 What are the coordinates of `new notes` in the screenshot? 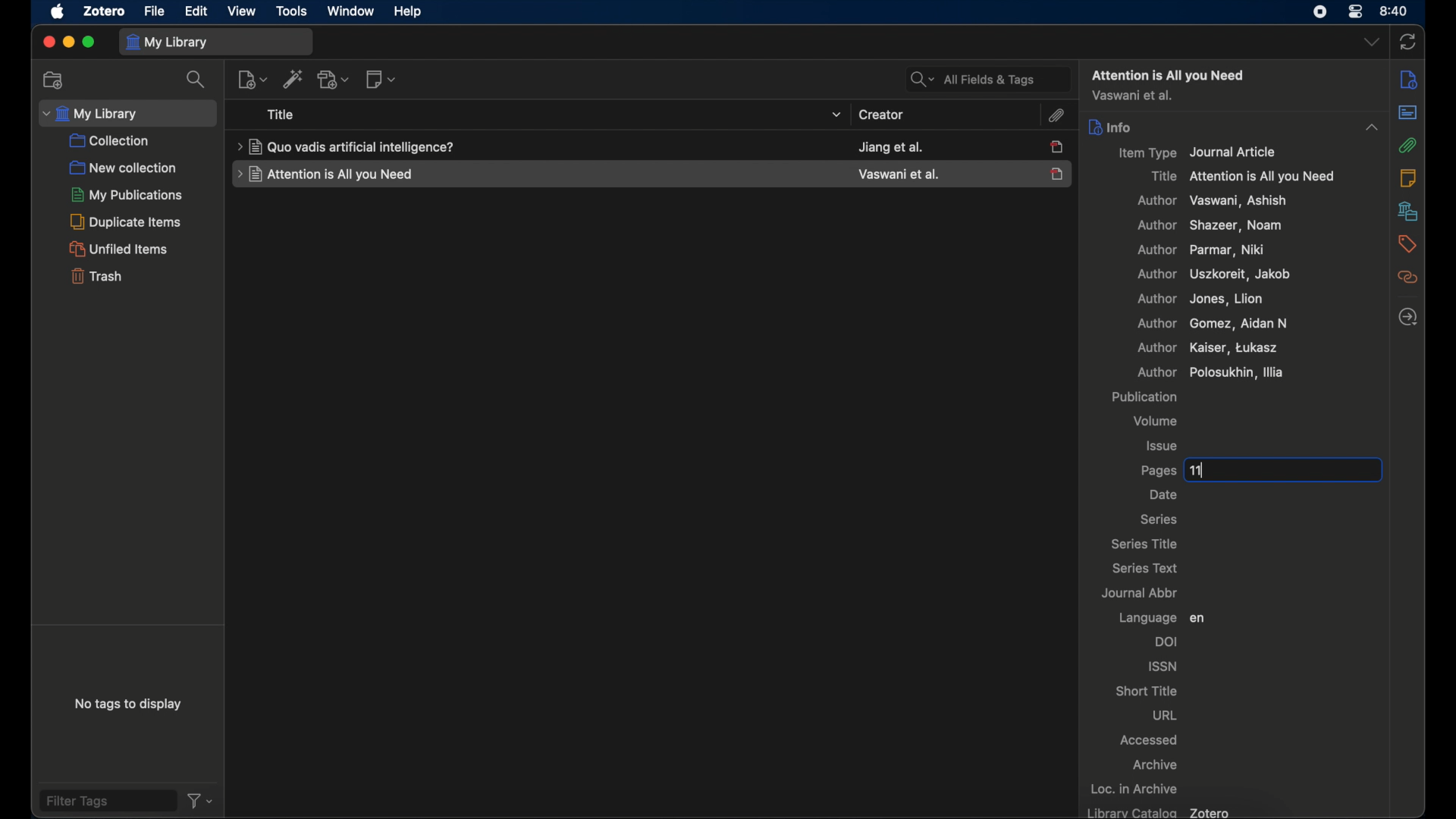 It's located at (381, 80).